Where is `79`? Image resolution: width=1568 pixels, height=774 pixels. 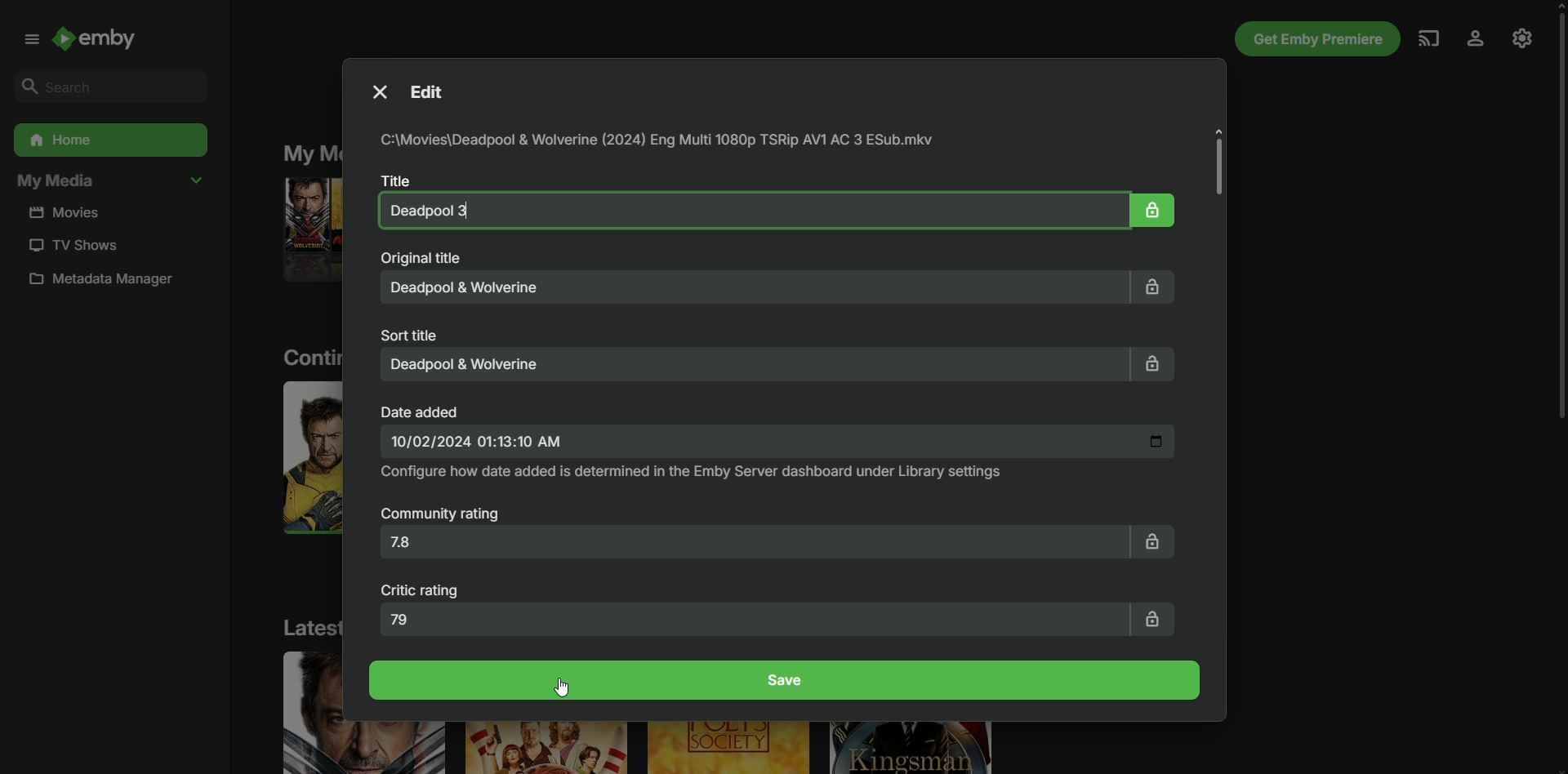 79 is located at coordinates (755, 619).